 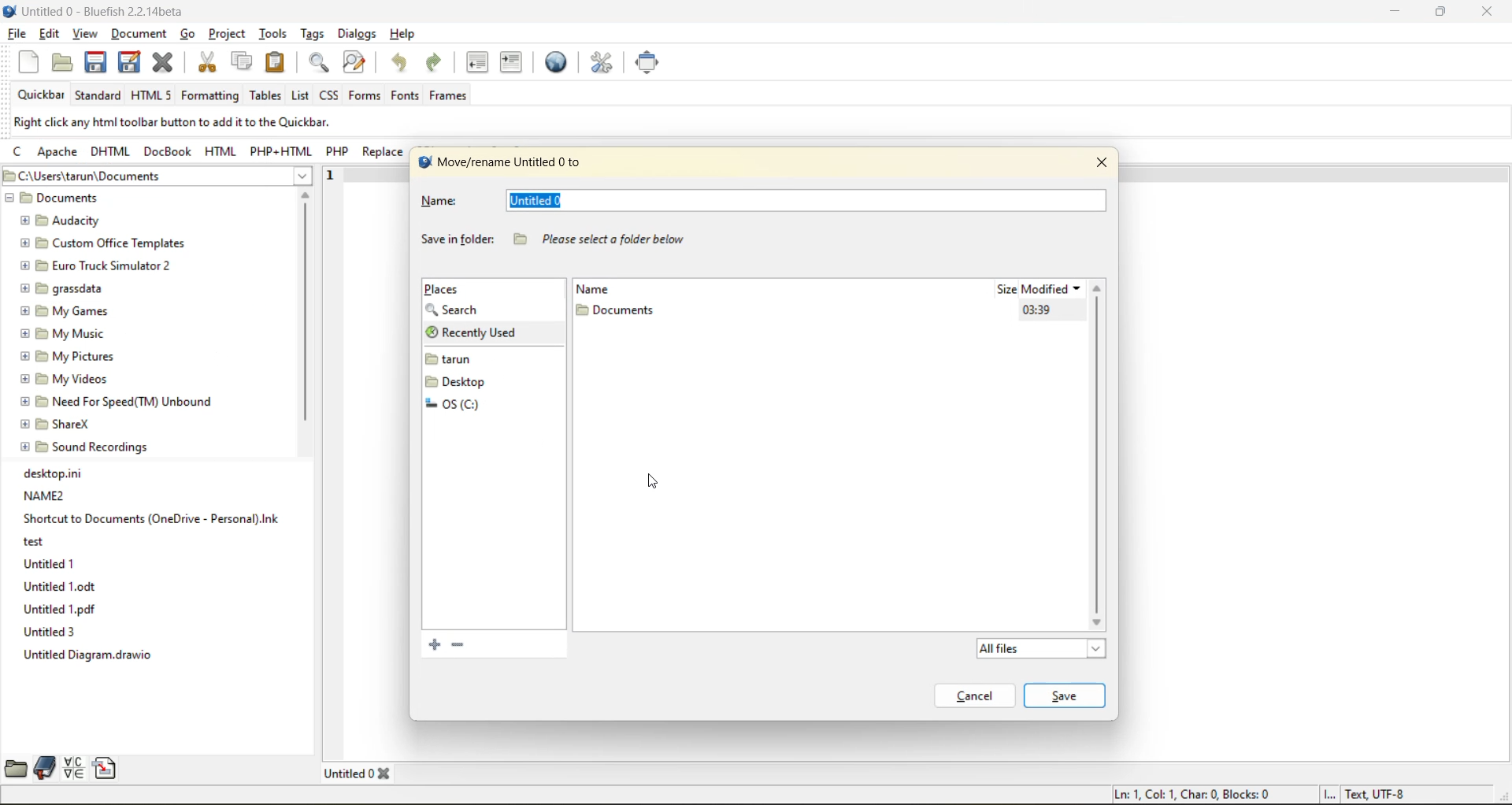 What do you see at coordinates (1100, 165) in the screenshot?
I see `close` at bounding box center [1100, 165].